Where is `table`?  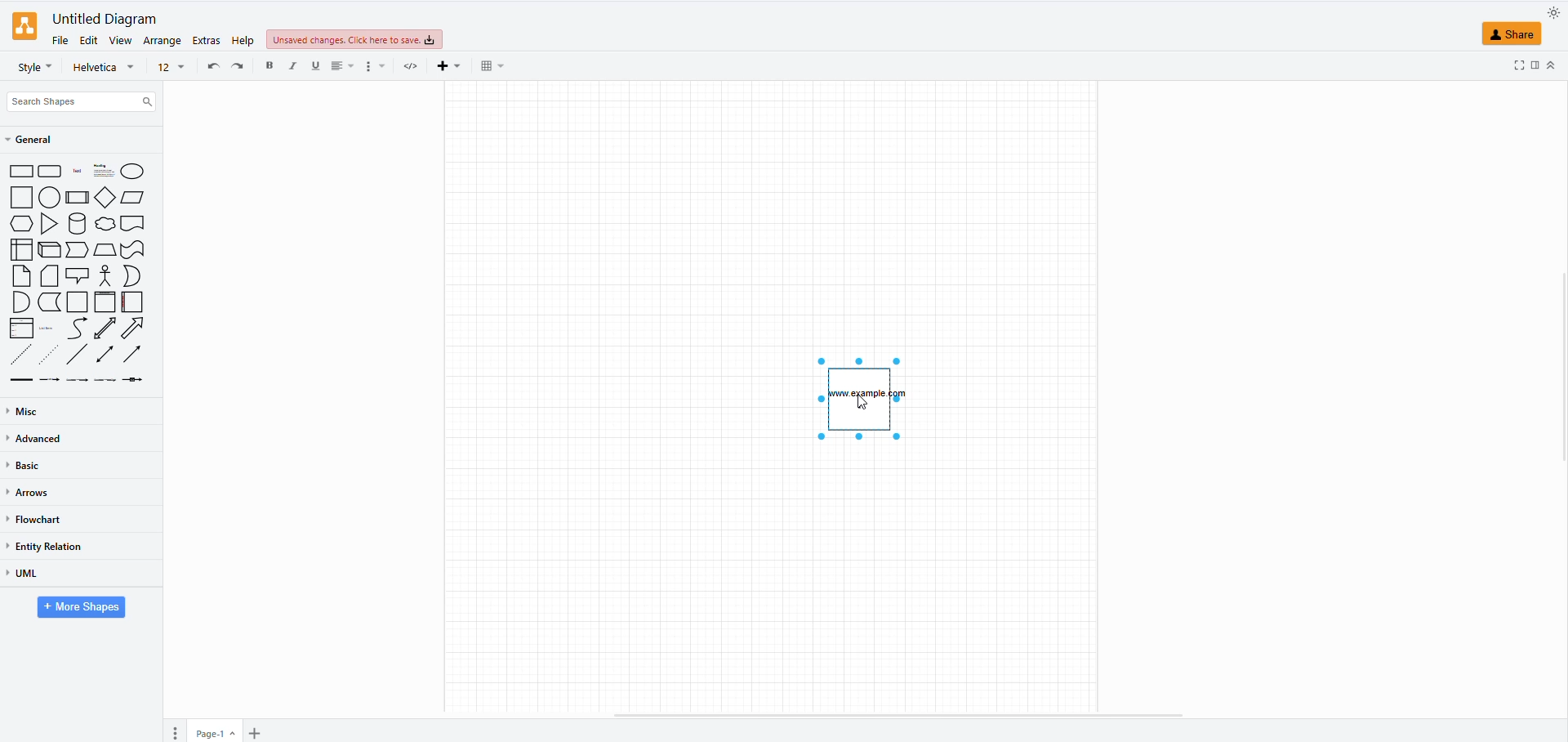
table is located at coordinates (492, 65).